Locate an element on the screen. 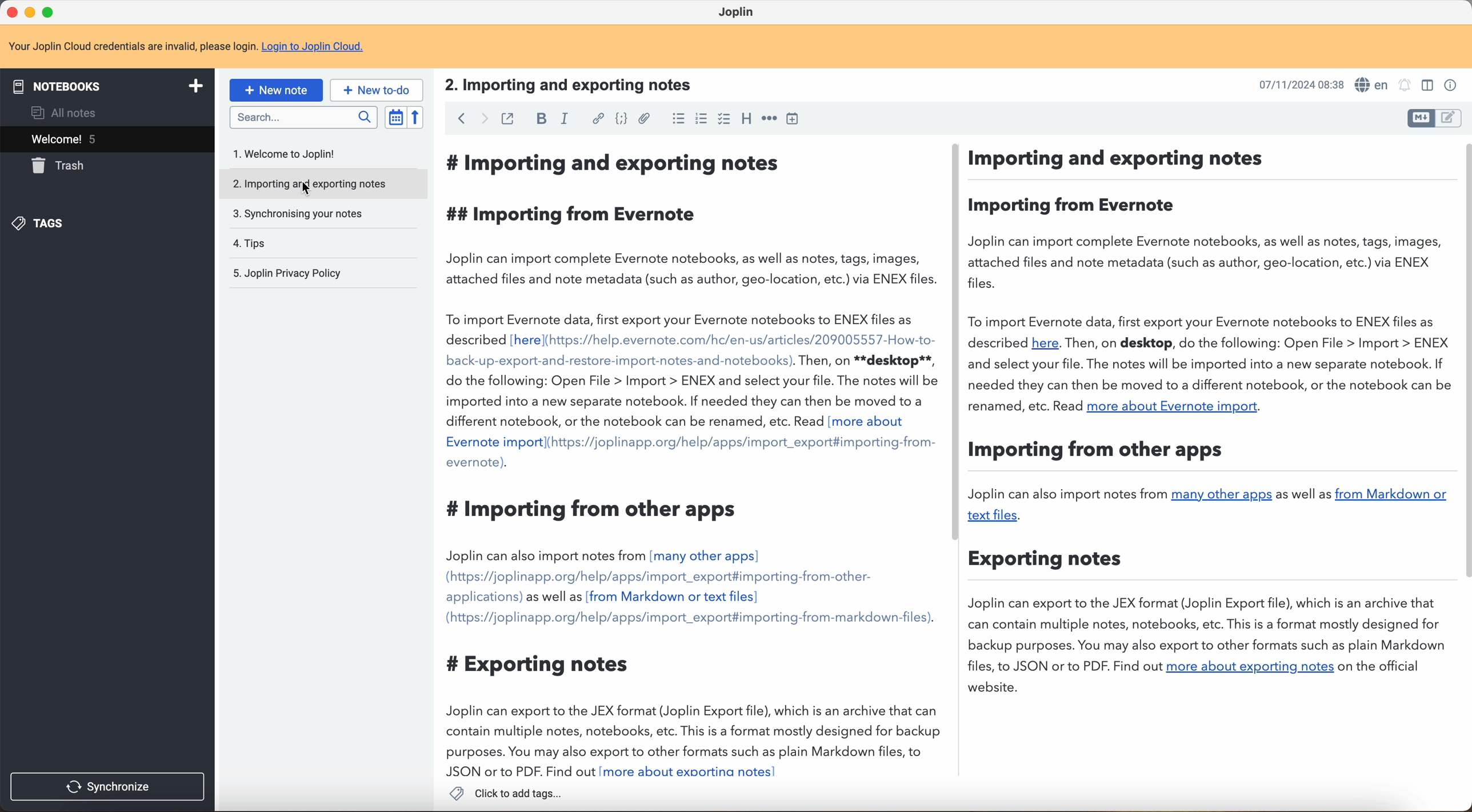  trash is located at coordinates (62, 166).